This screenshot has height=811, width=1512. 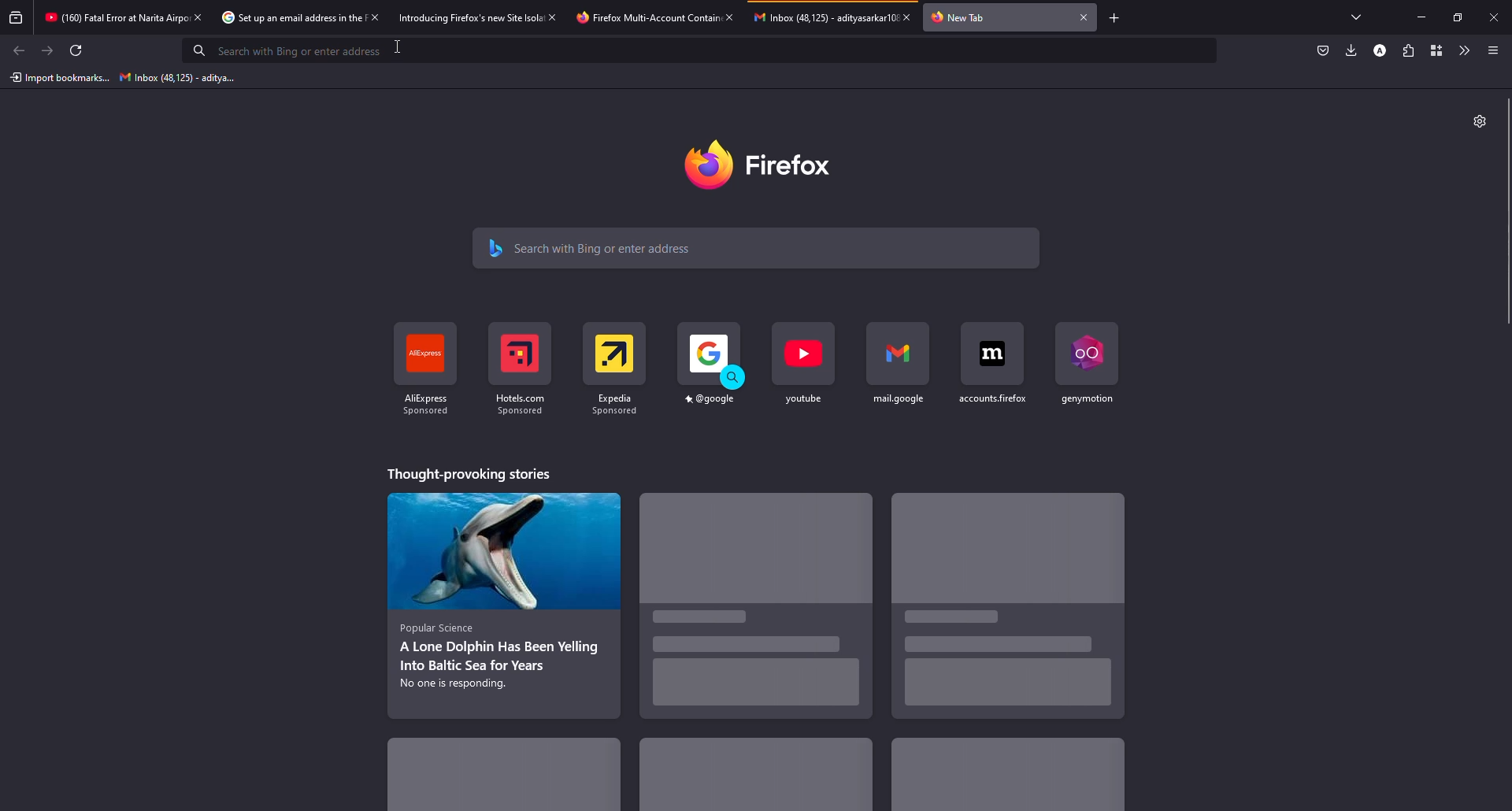 What do you see at coordinates (198, 17) in the screenshot?
I see `close` at bounding box center [198, 17].